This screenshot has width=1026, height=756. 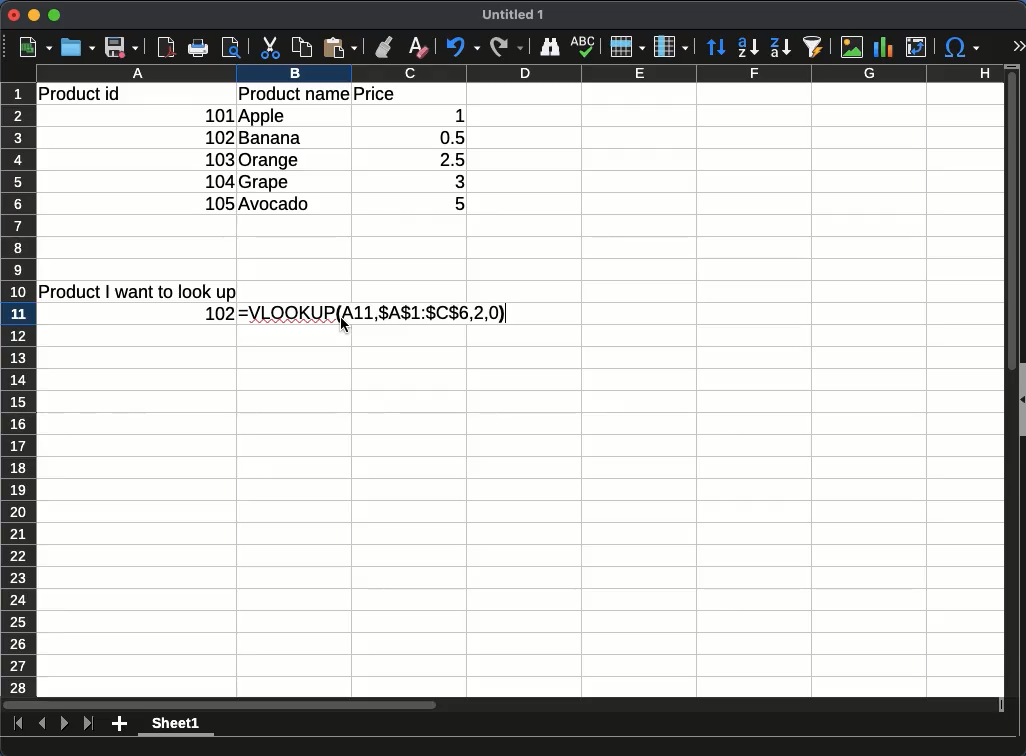 What do you see at coordinates (220, 182) in the screenshot?
I see `104` at bounding box center [220, 182].